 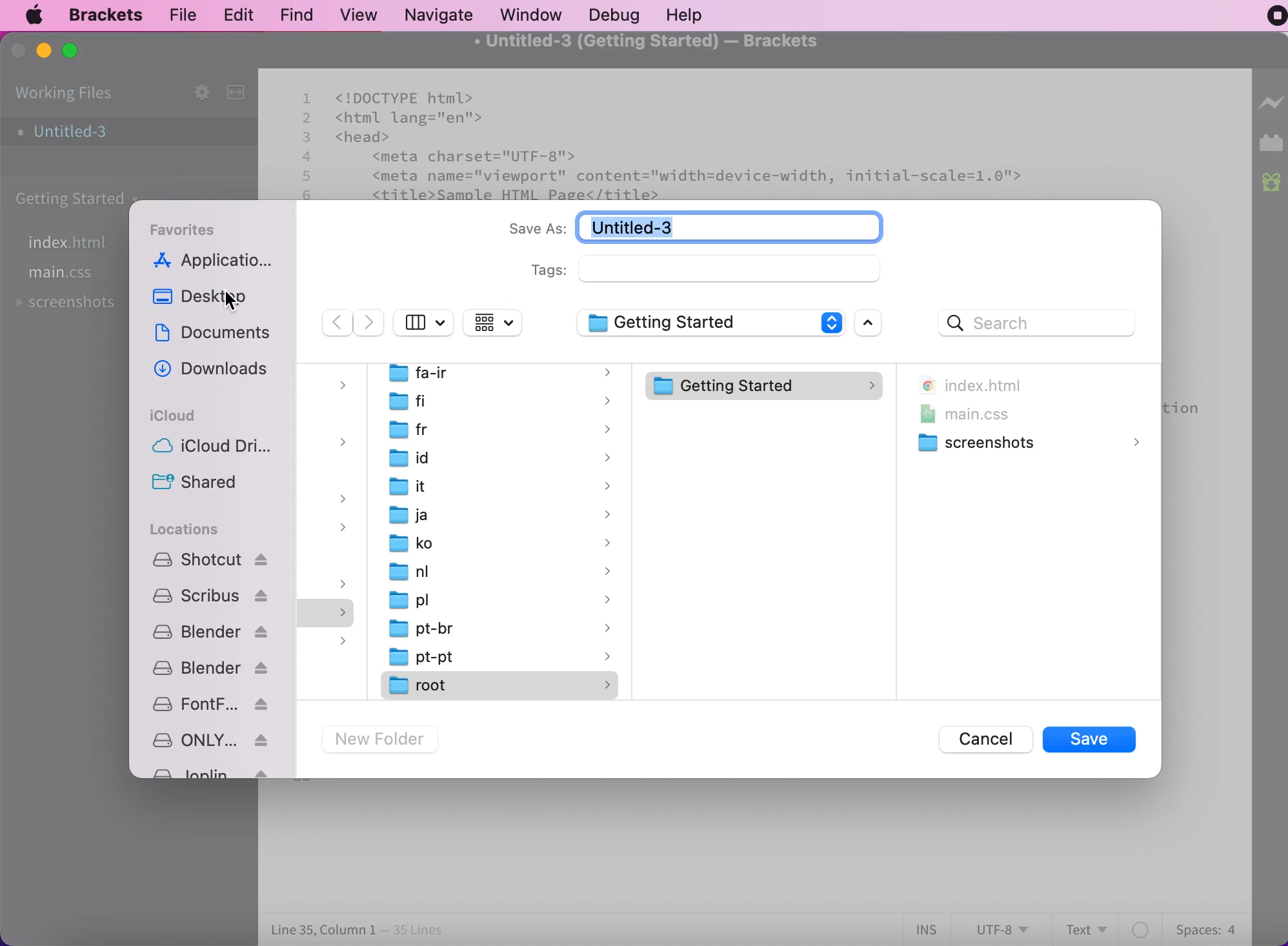 What do you see at coordinates (502, 374) in the screenshot?
I see `fa-ir` at bounding box center [502, 374].